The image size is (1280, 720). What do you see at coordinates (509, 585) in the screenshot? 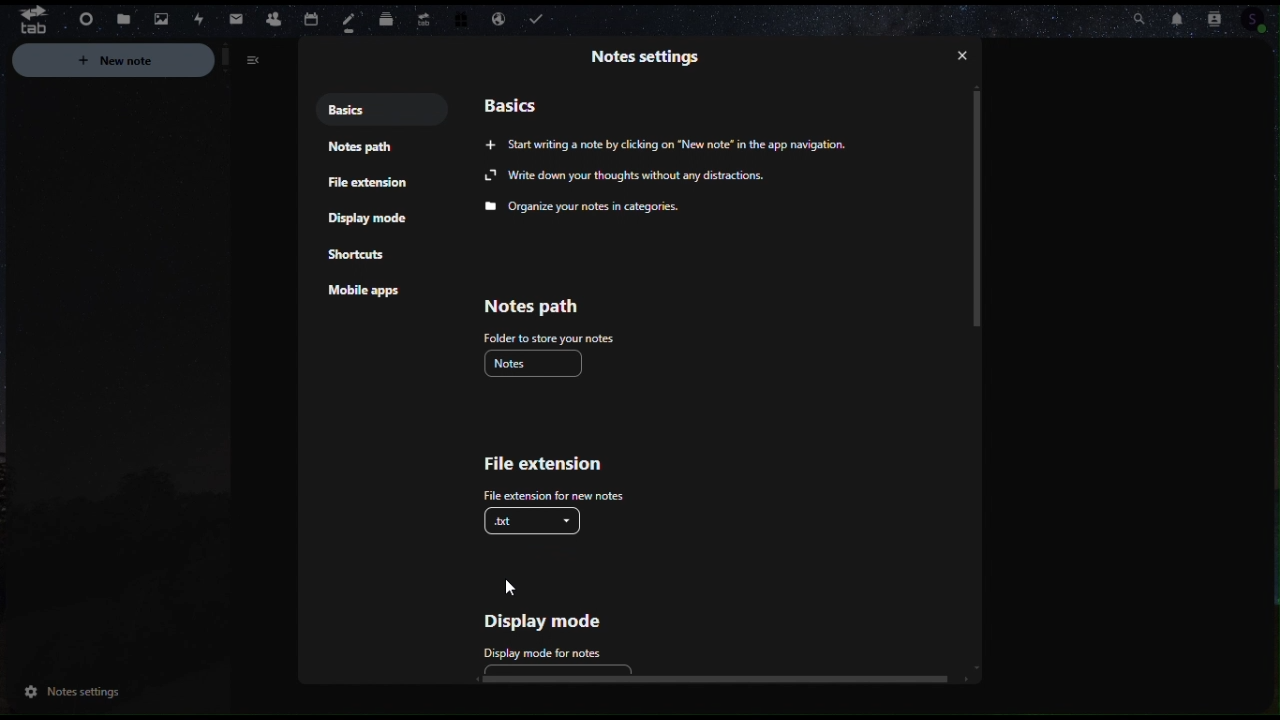
I see `cursor` at bounding box center [509, 585].